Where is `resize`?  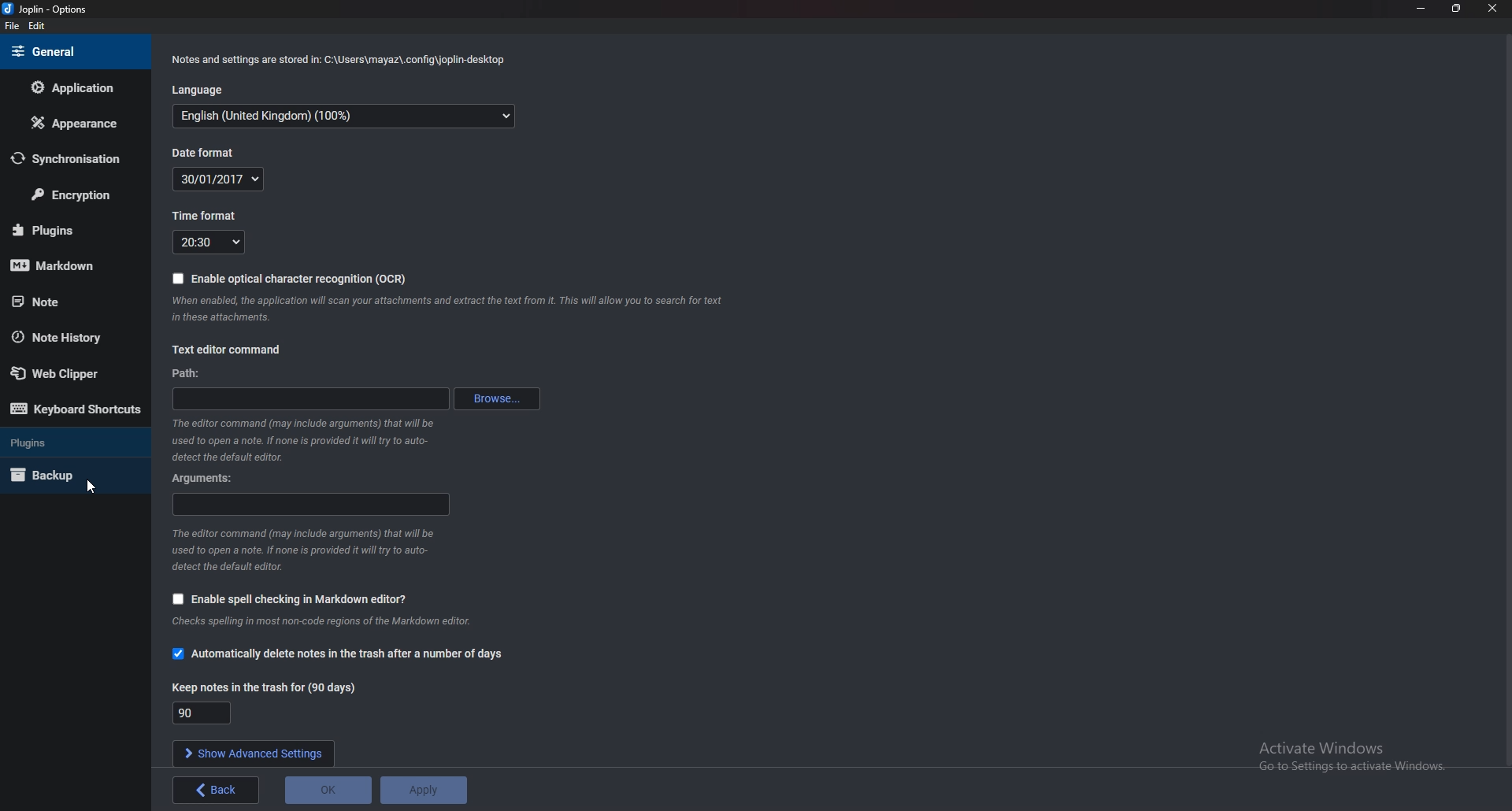 resize is located at coordinates (1458, 8).